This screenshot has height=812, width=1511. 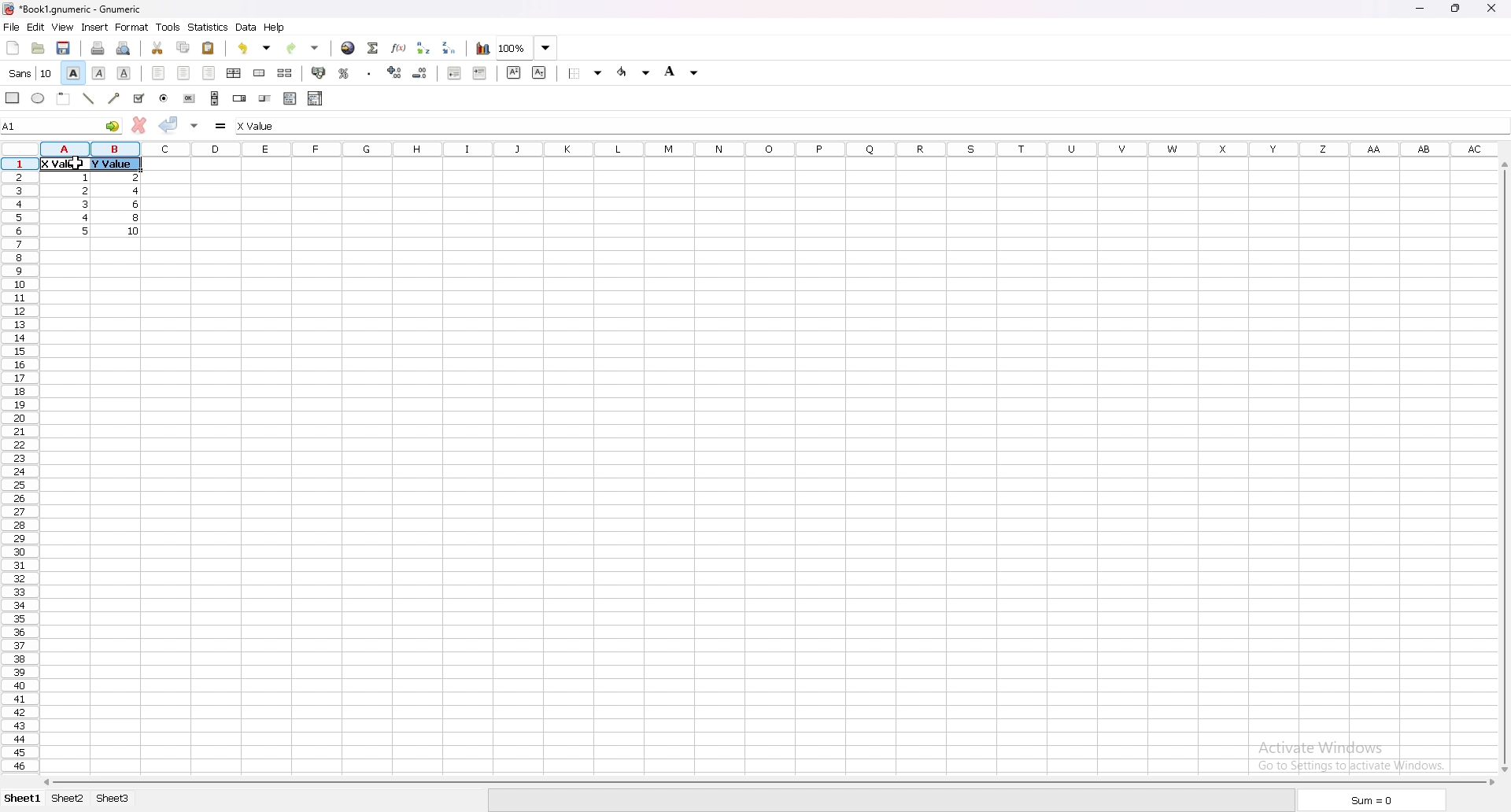 I want to click on data, so click(x=246, y=27).